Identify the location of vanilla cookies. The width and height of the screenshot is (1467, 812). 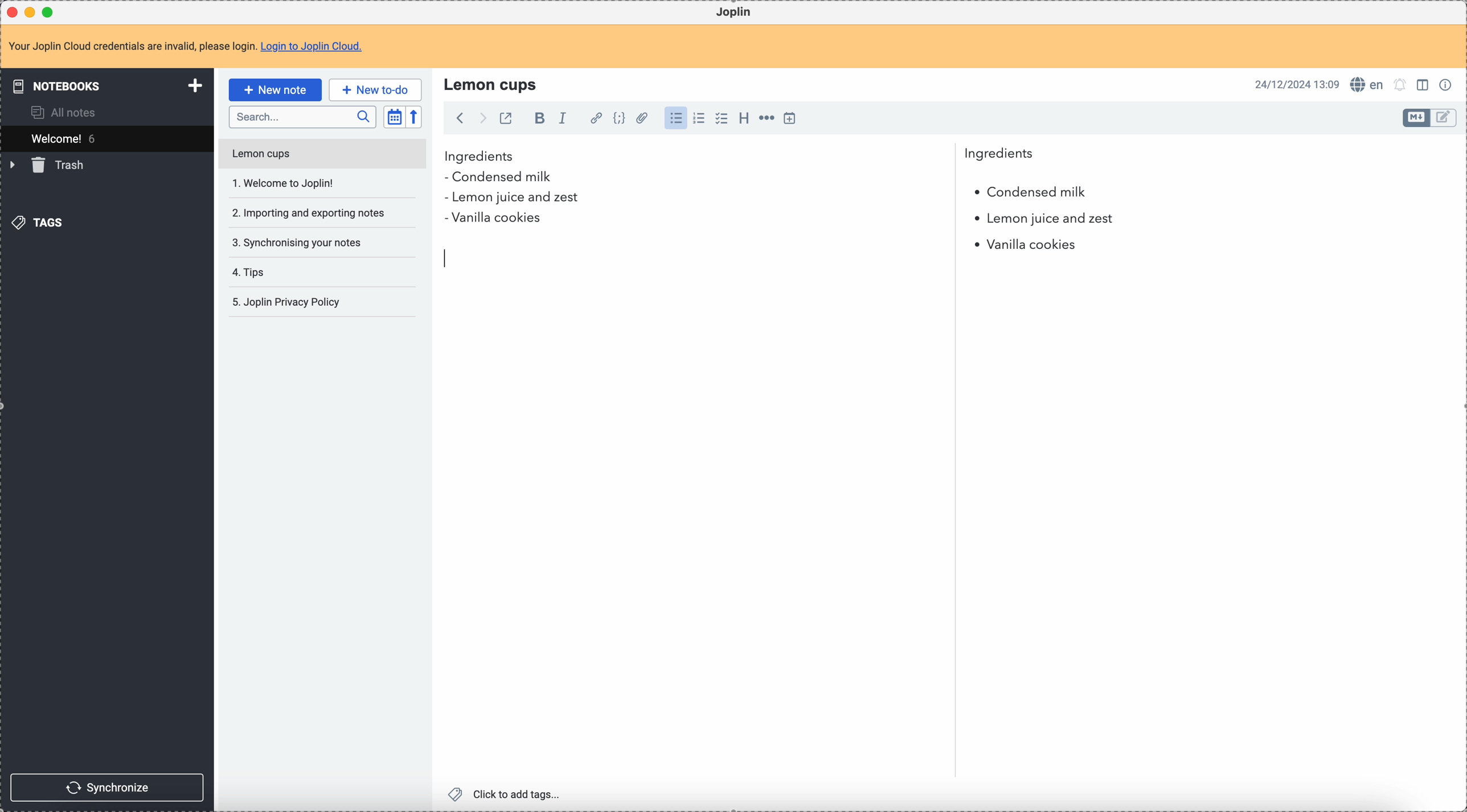
(493, 219).